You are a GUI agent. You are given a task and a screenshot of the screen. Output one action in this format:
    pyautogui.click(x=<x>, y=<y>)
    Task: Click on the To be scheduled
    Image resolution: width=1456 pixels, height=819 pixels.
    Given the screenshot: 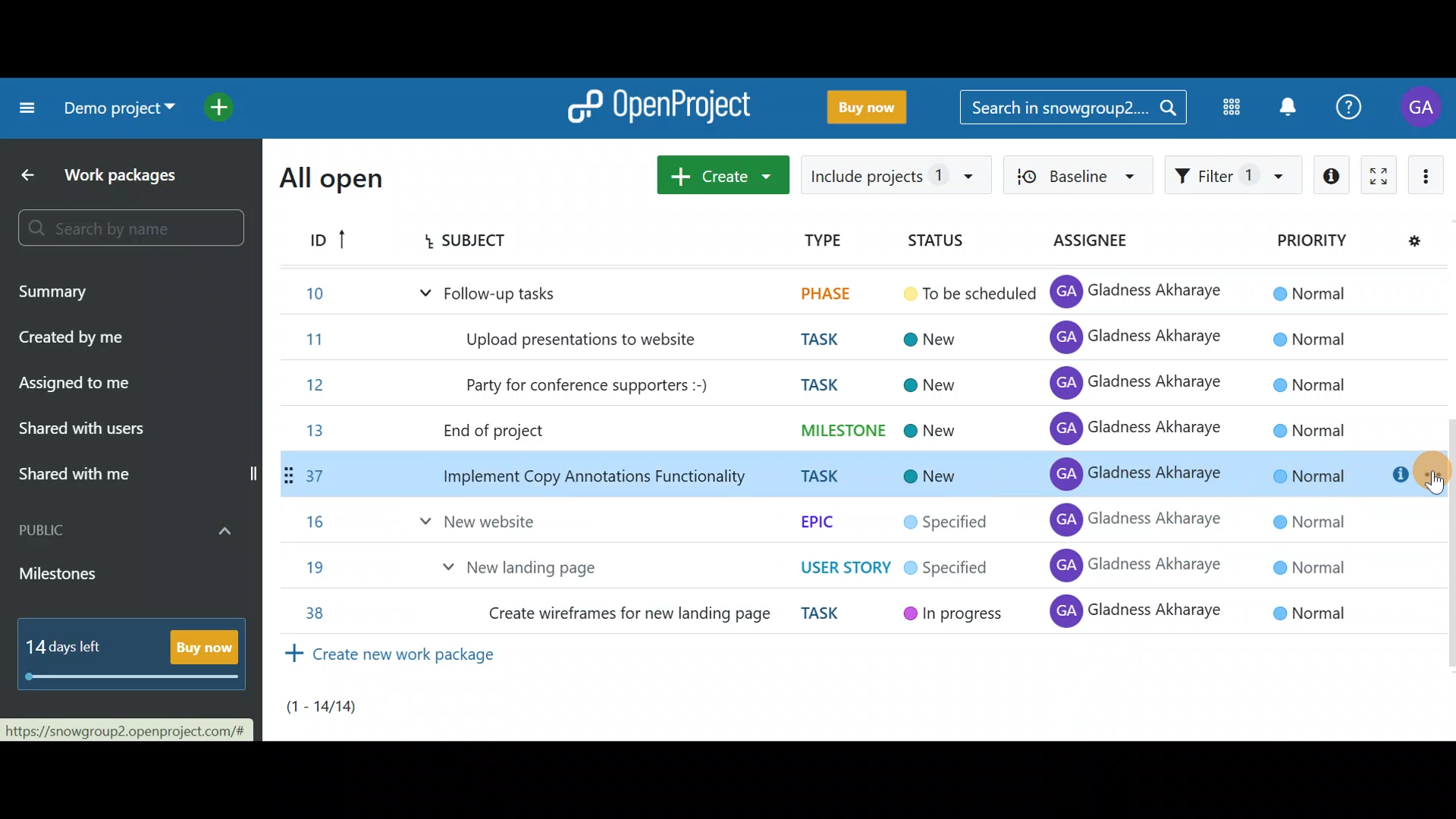 What is the action you would take?
    pyautogui.click(x=968, y=293)
    